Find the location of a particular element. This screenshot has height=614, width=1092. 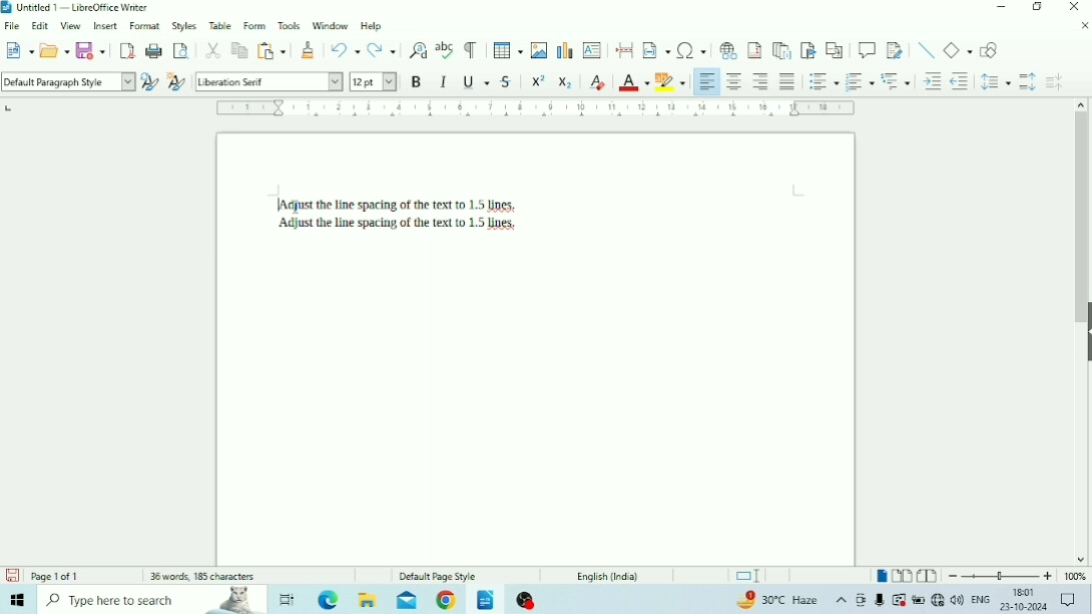

Show is located at coordinates (1085, 328).